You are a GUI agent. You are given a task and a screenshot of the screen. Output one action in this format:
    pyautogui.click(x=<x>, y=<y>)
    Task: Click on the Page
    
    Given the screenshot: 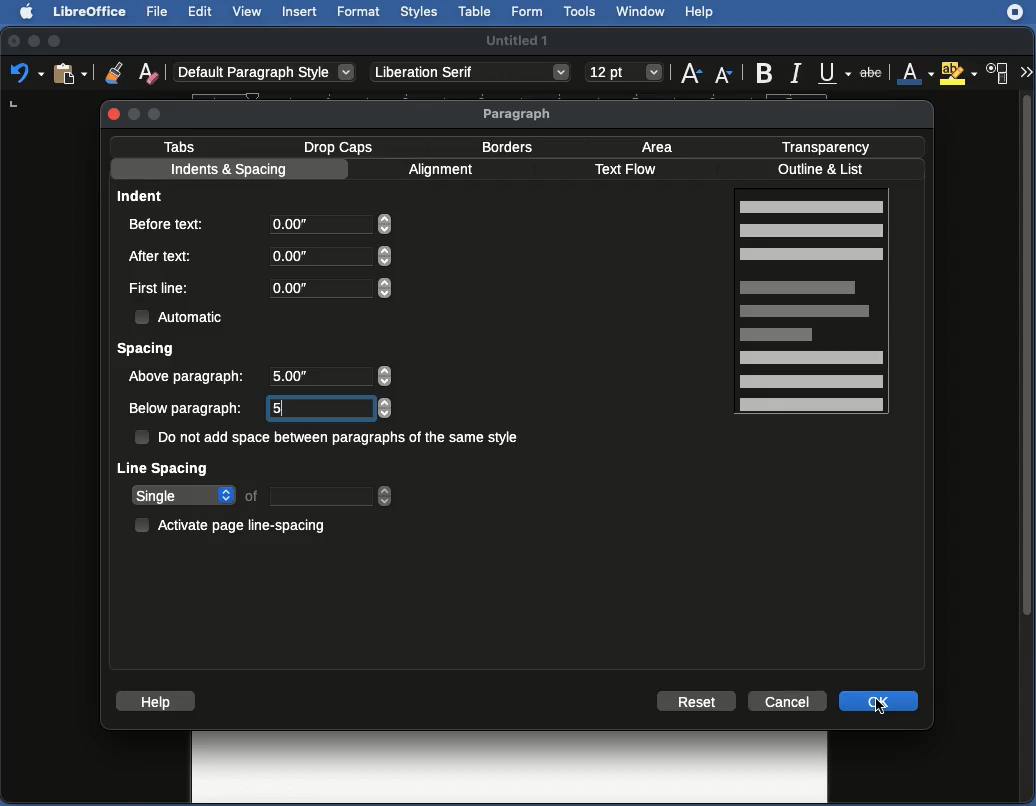 What is the action you would take?
    pyautogui.click(x=814, y=304)
    